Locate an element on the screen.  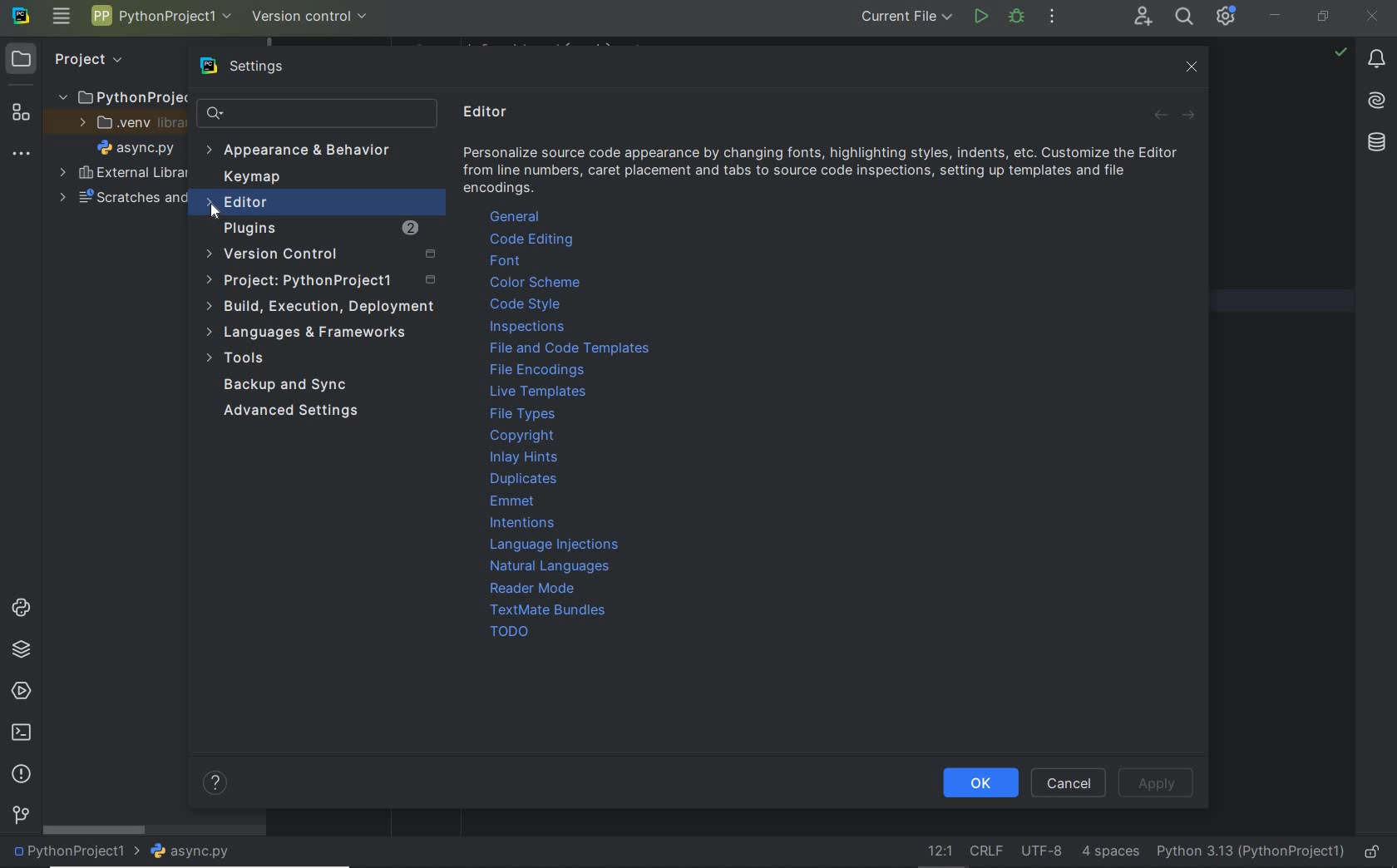
Back is located at coordinates (1160, 118).